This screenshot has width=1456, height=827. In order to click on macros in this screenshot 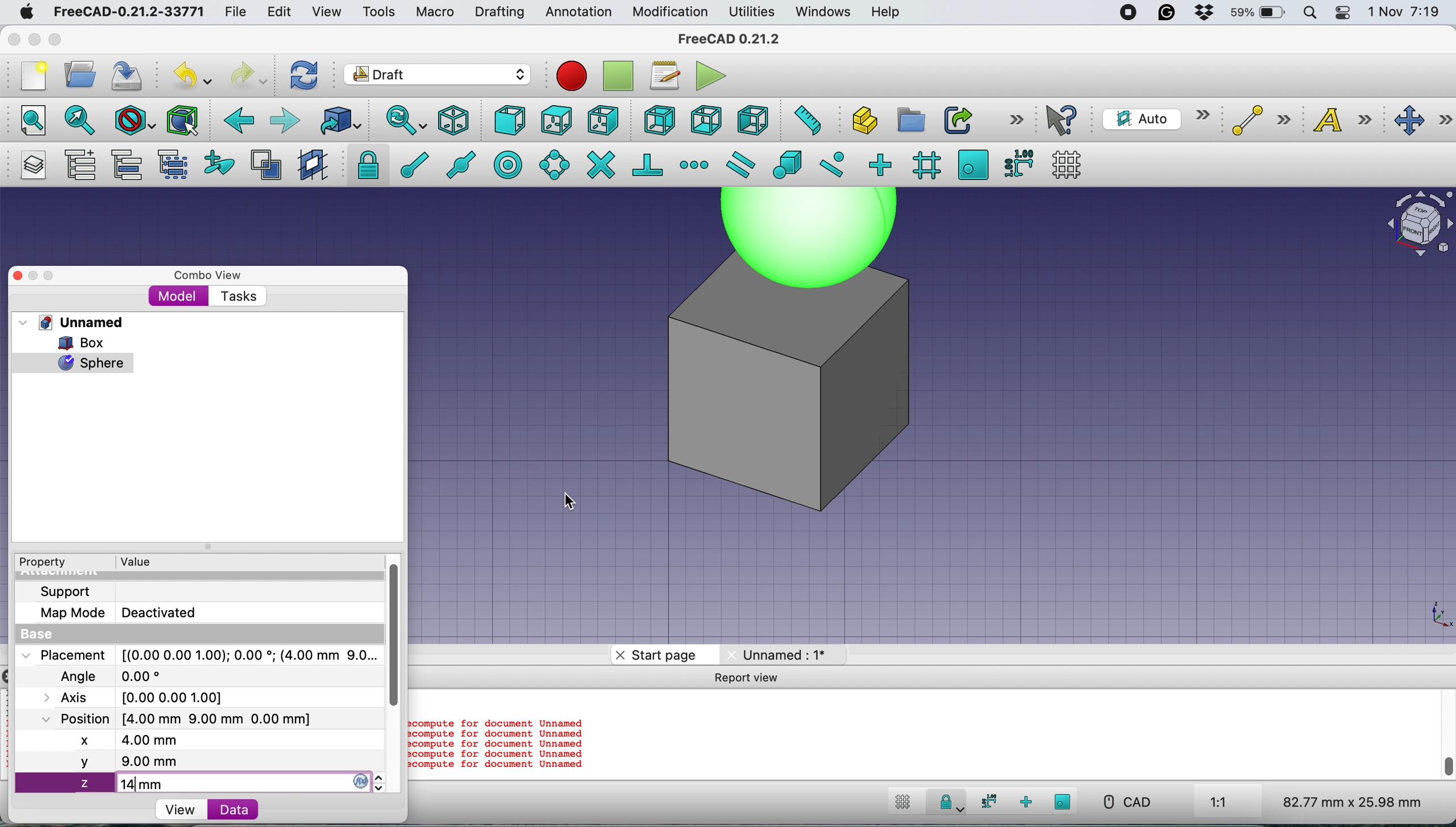, I will do `click(664, 76)`.